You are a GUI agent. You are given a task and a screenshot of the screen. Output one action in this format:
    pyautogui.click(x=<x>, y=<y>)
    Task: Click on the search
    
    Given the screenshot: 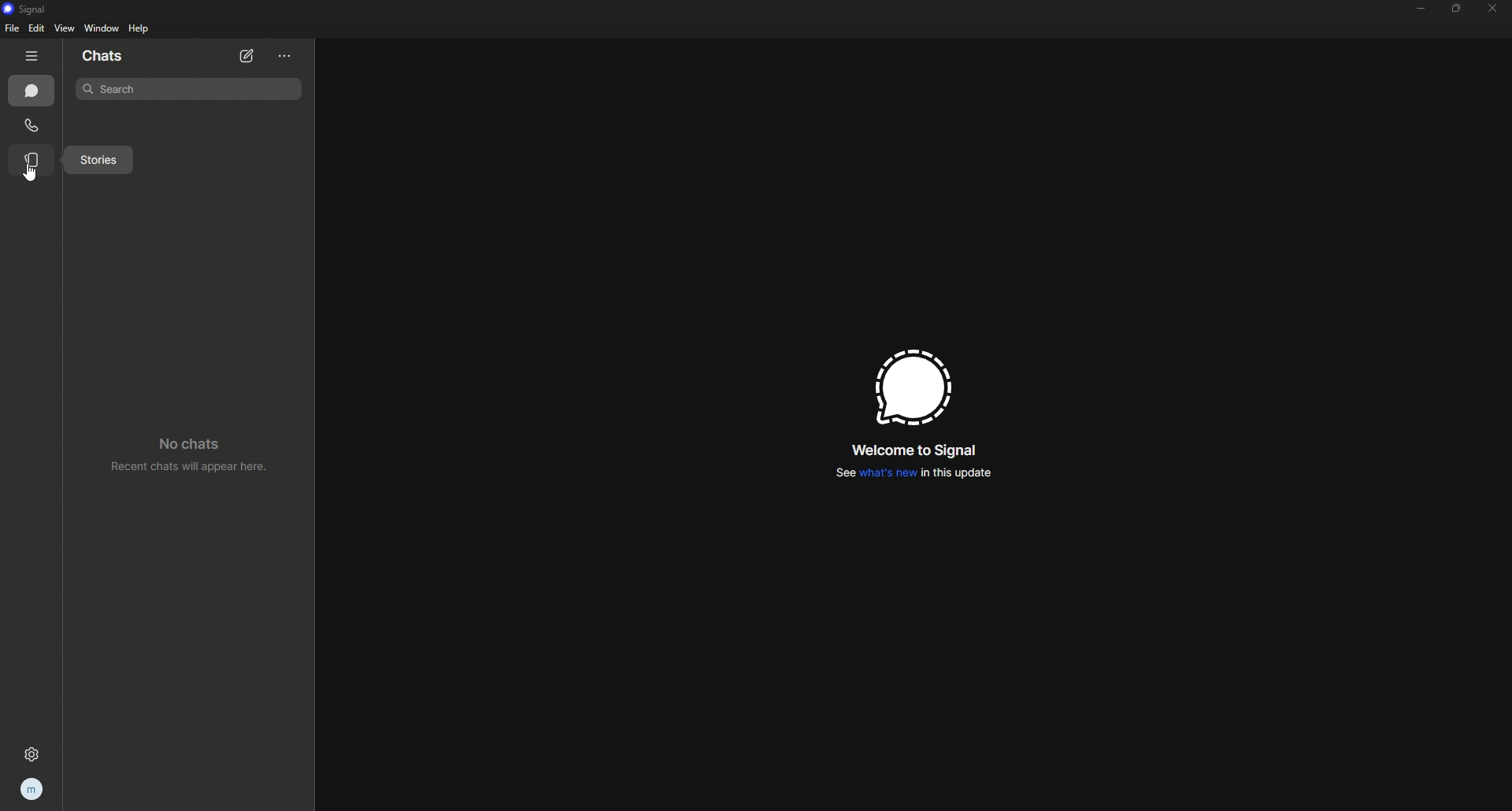 What is the action you would take?
    pyautogui.click(x=187, y=88)
    